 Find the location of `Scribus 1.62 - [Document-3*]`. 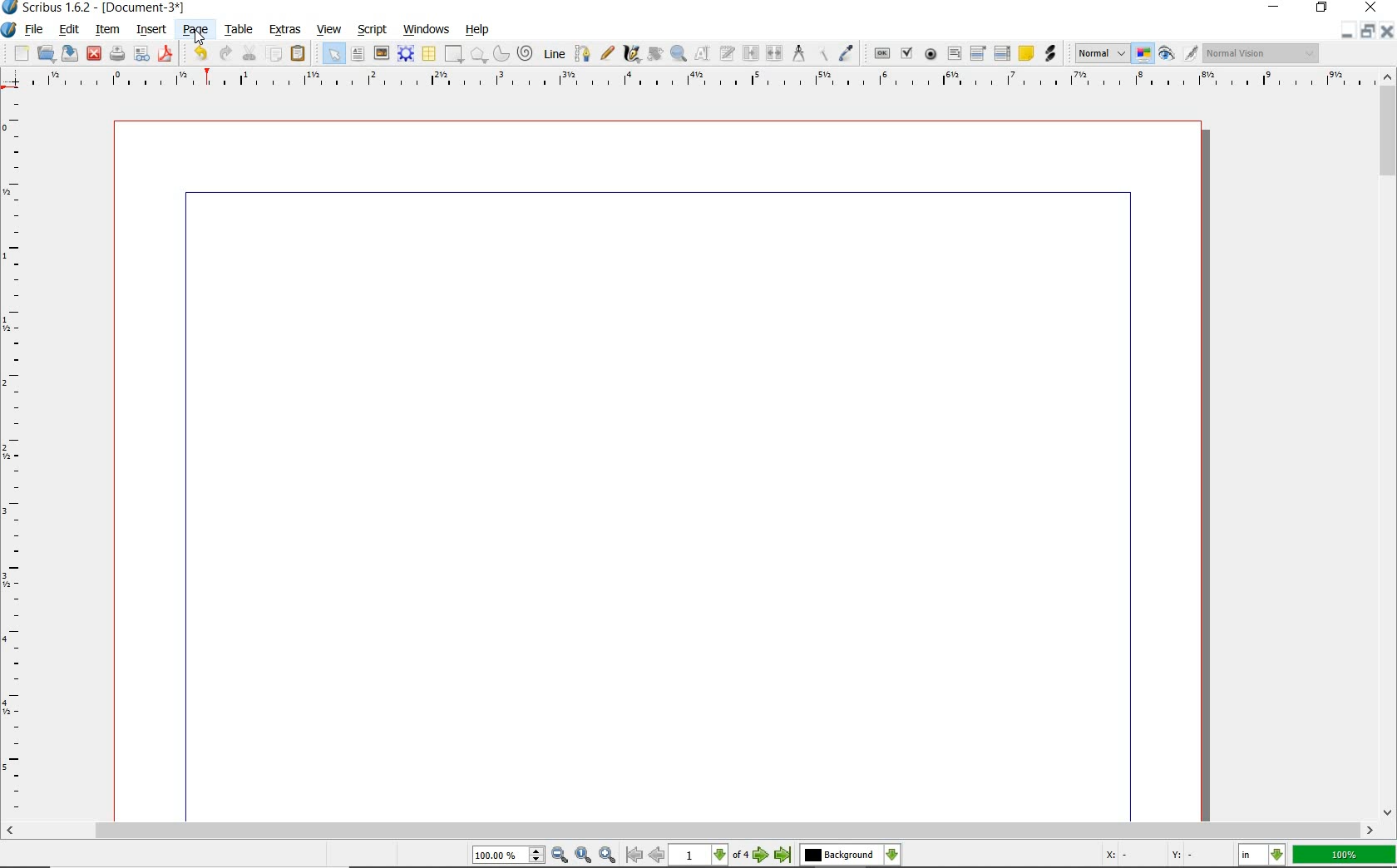

Scribus 1.62 - [Document-3*] is located at coordinates (101, 8).